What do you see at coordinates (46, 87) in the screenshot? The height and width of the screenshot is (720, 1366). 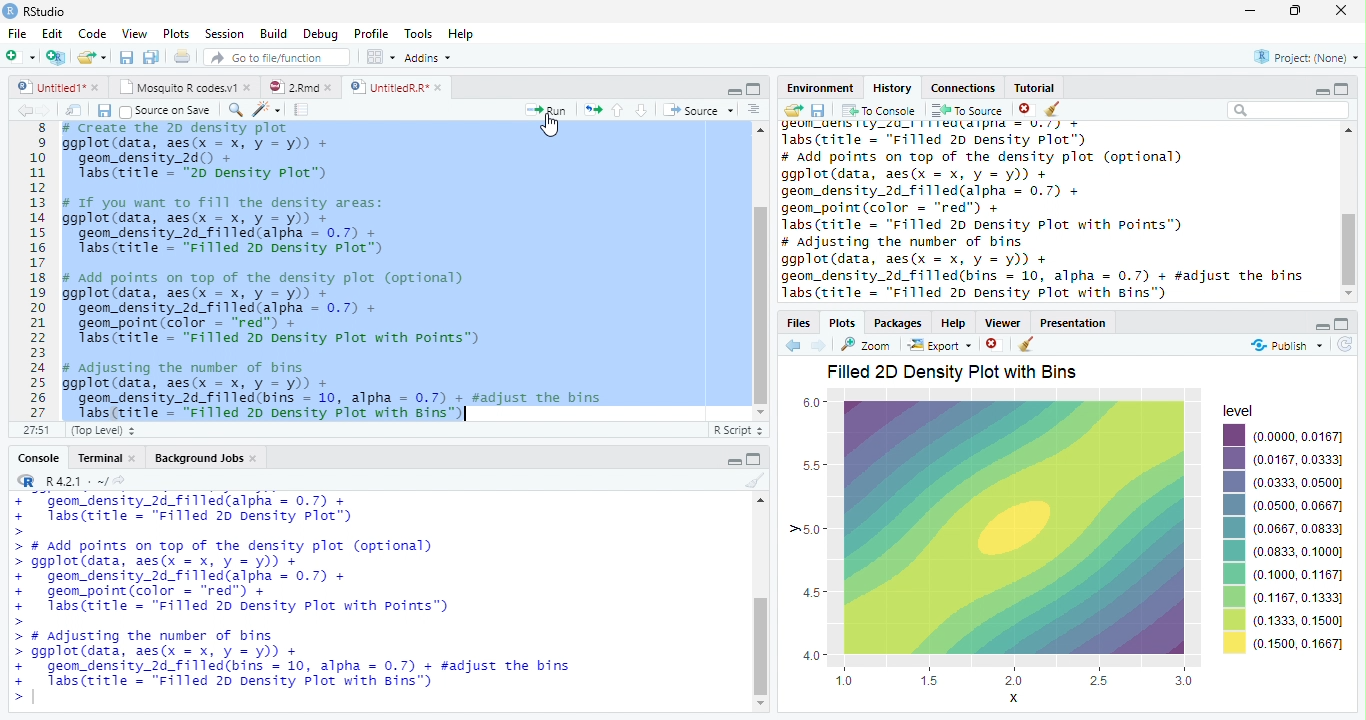 I see `Untitled1` at bounding box center [46, 87].